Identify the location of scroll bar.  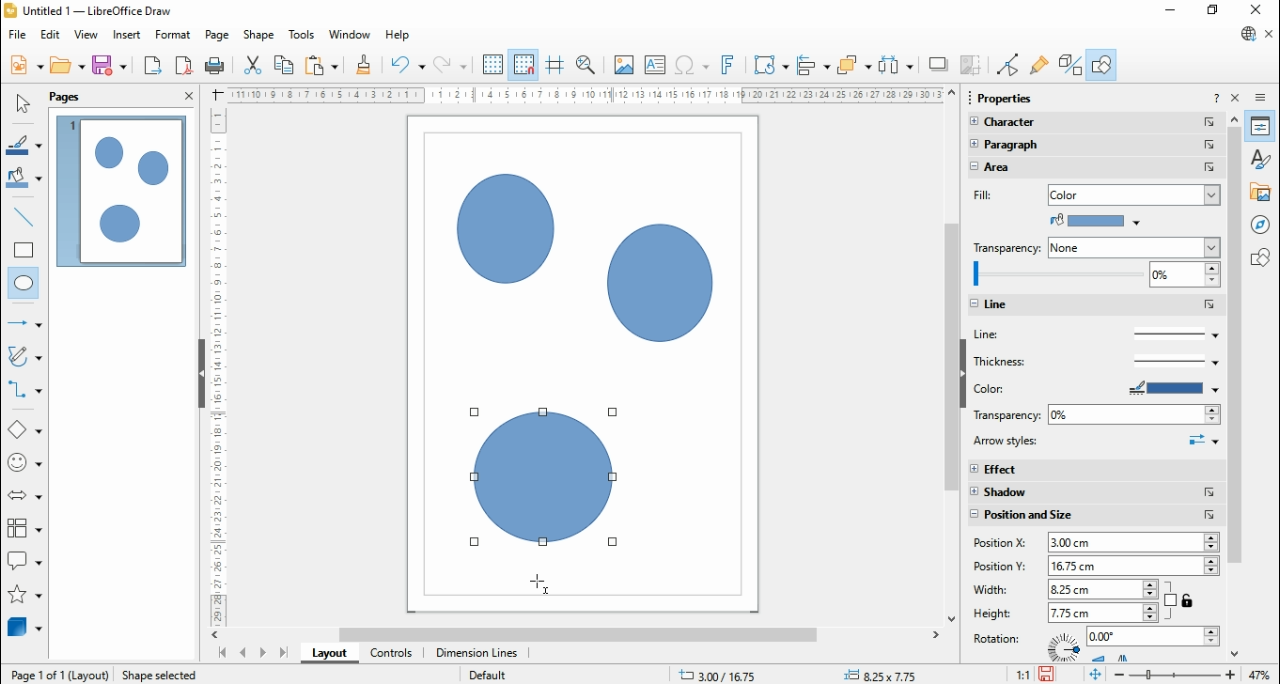
(952, 355).